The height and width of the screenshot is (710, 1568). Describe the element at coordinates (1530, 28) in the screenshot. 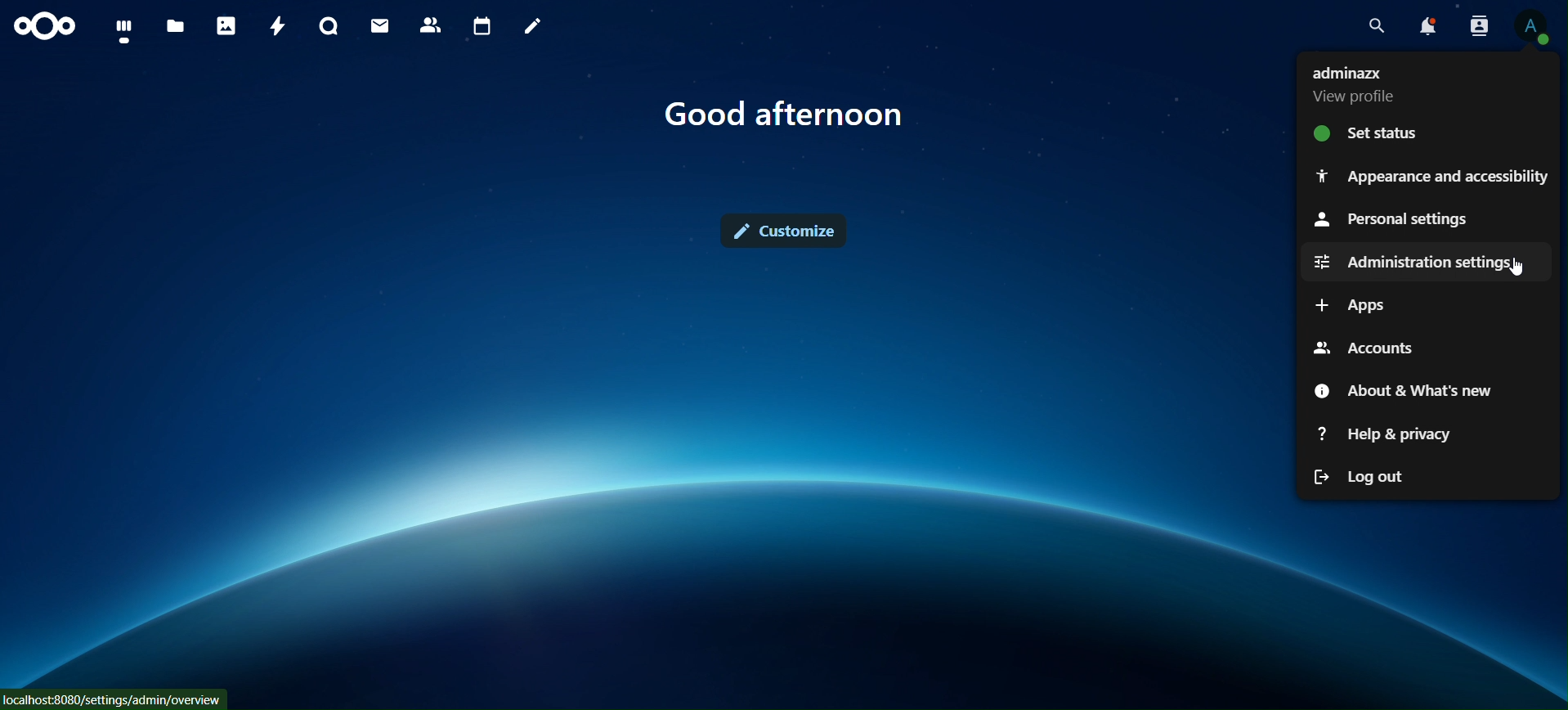

I see `view profile` at that location.